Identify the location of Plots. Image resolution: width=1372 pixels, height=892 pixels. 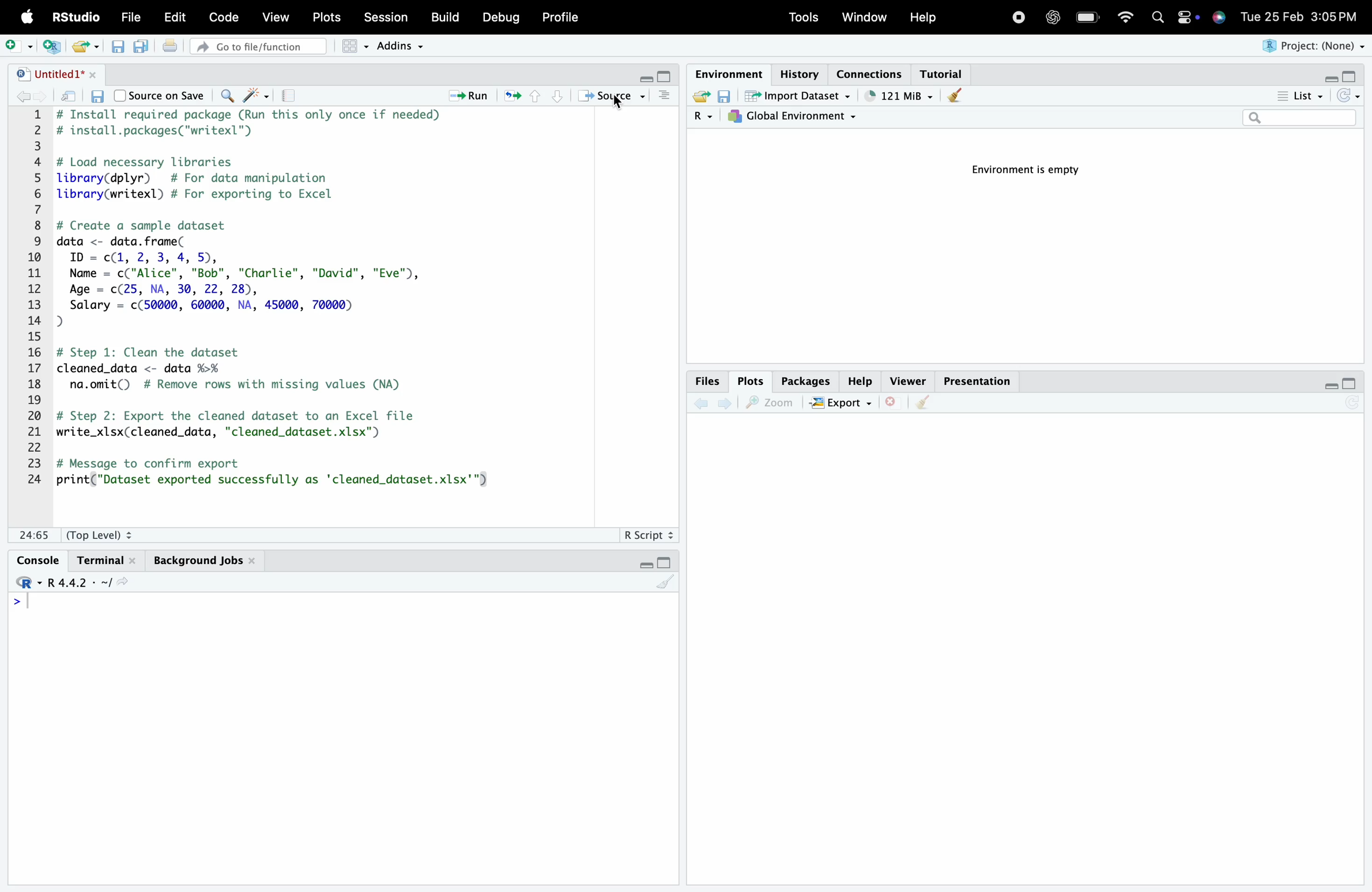
(752, 379).